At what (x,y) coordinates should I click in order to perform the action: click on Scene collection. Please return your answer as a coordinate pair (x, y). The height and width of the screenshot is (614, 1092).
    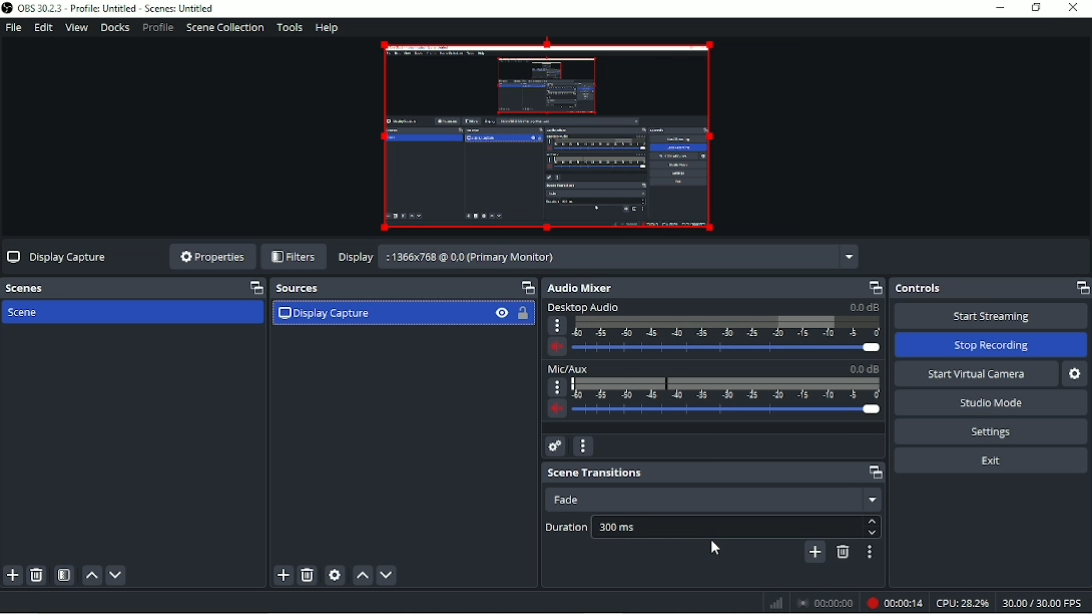
    Looking at the image, I should click on (223, 27).